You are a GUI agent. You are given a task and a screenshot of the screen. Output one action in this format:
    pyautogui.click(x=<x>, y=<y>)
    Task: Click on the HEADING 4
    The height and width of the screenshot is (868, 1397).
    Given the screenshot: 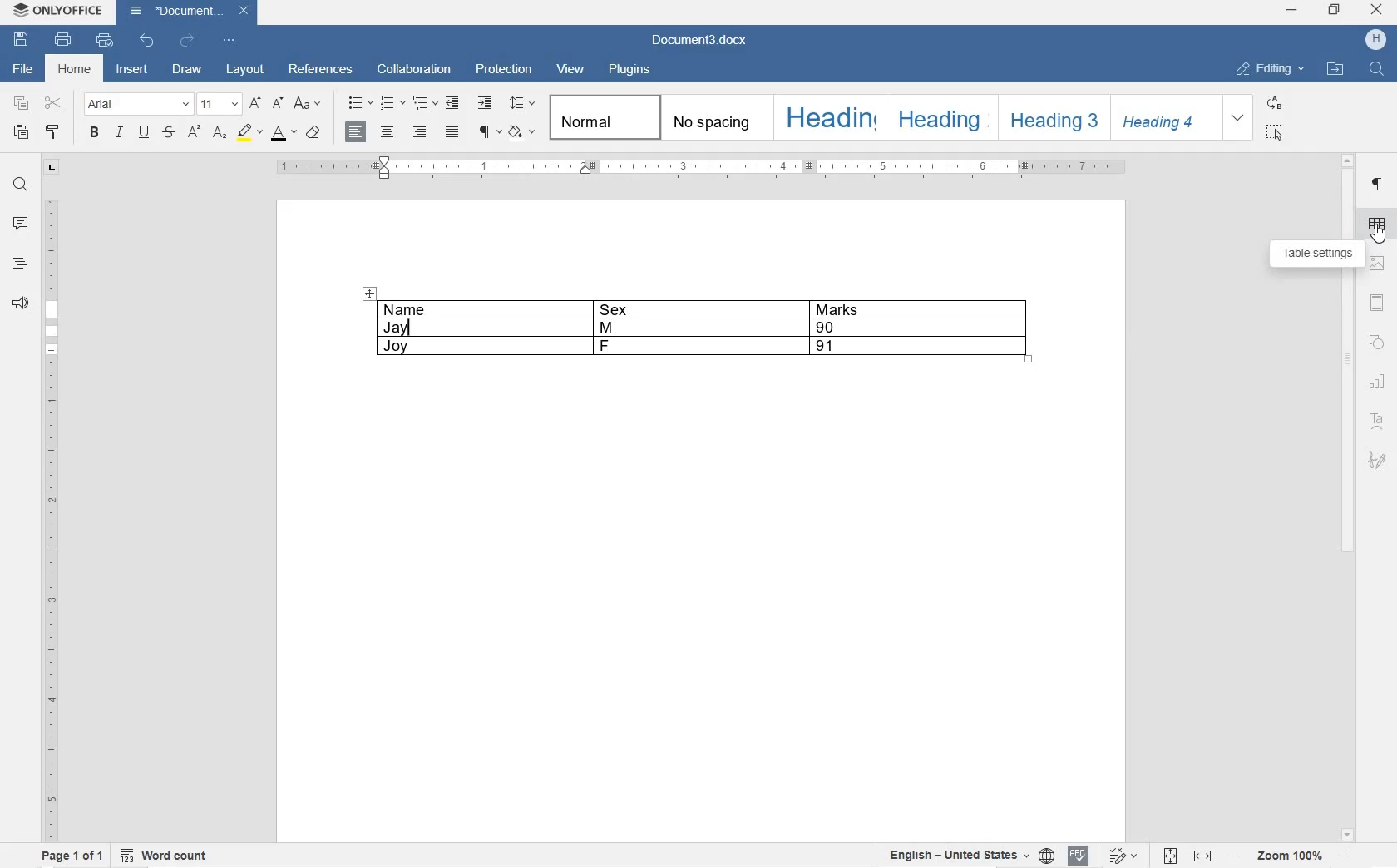 What is the action you would take?
    pyautogui.click(x=1162, y=116)
    